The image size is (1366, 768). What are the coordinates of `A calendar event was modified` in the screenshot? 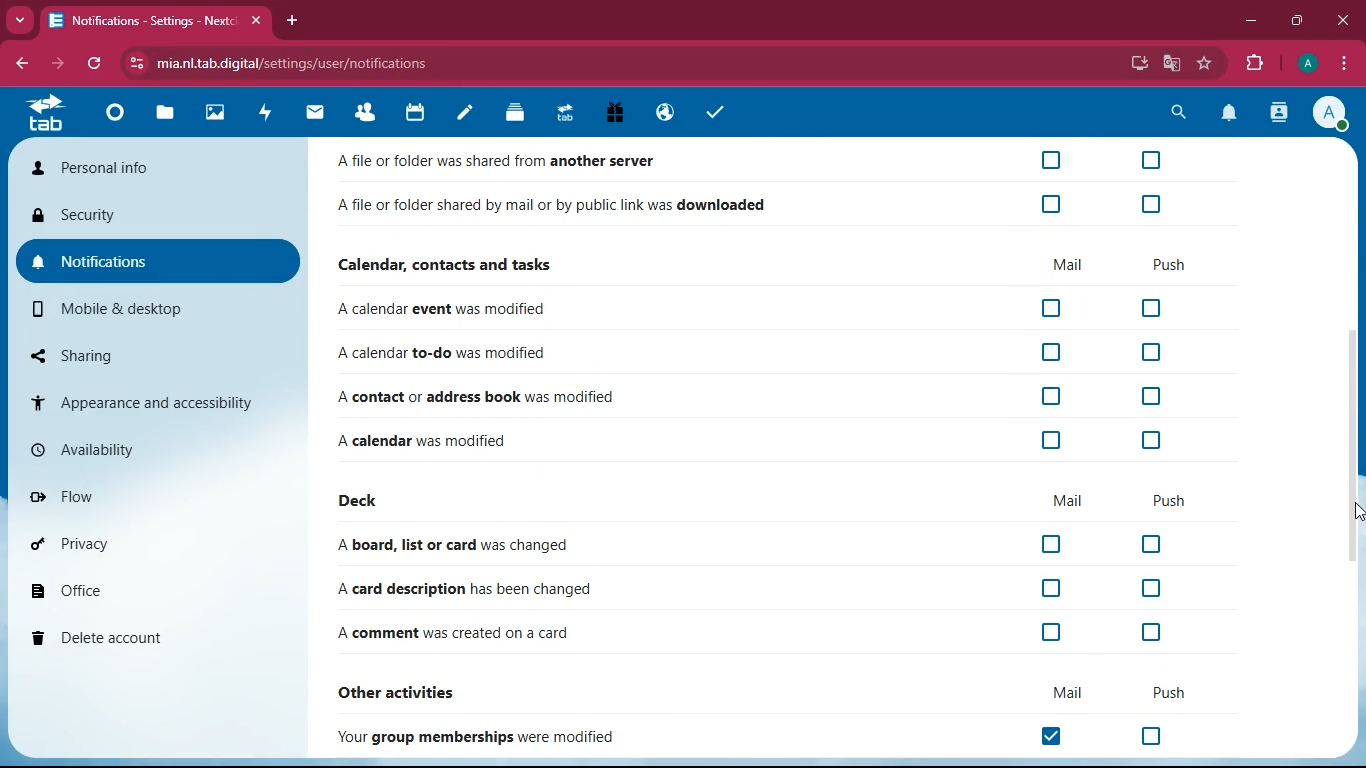 It's located at (447, 310).